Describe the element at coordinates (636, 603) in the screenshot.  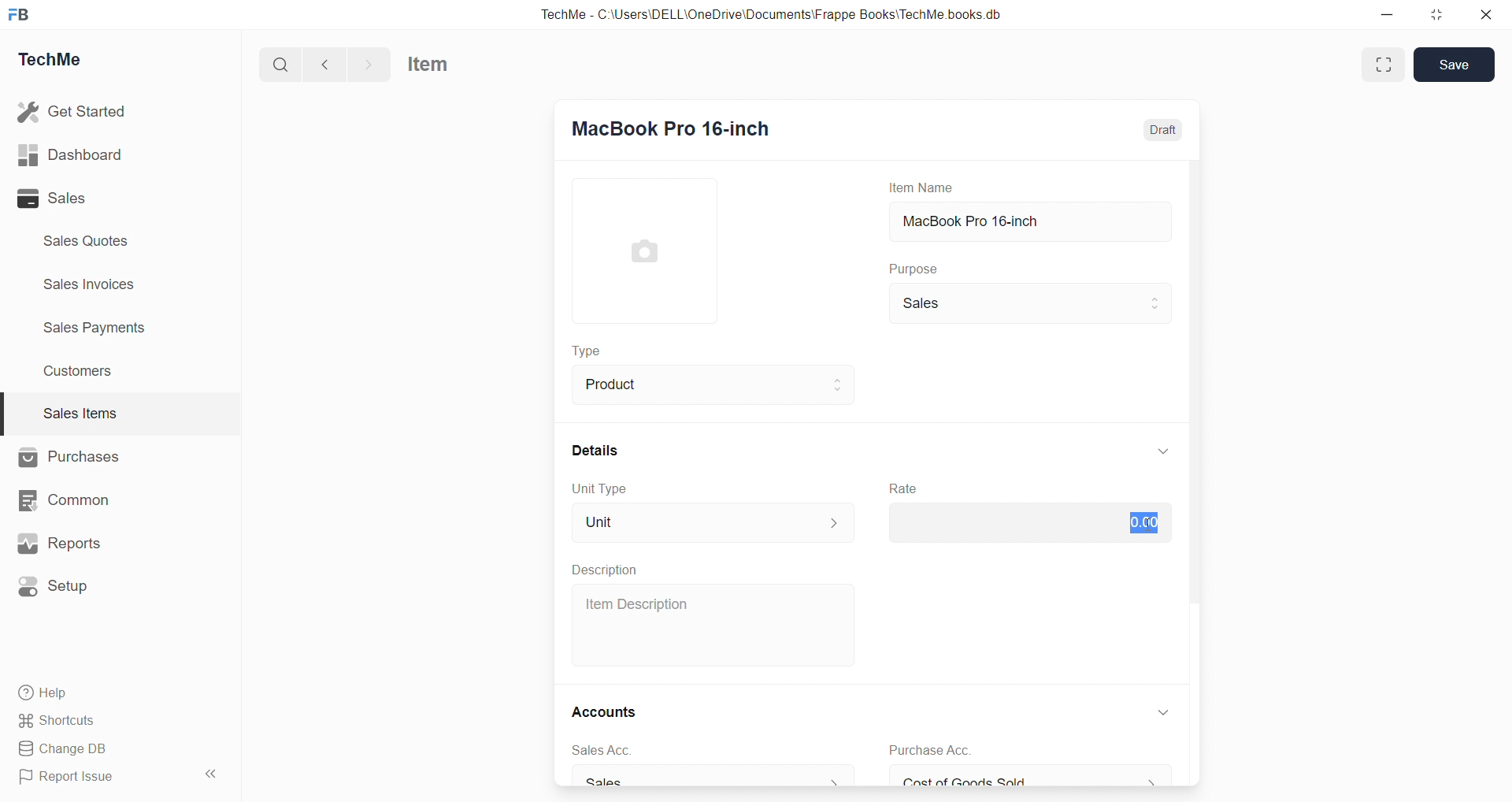
I see `Item Description` at that location.